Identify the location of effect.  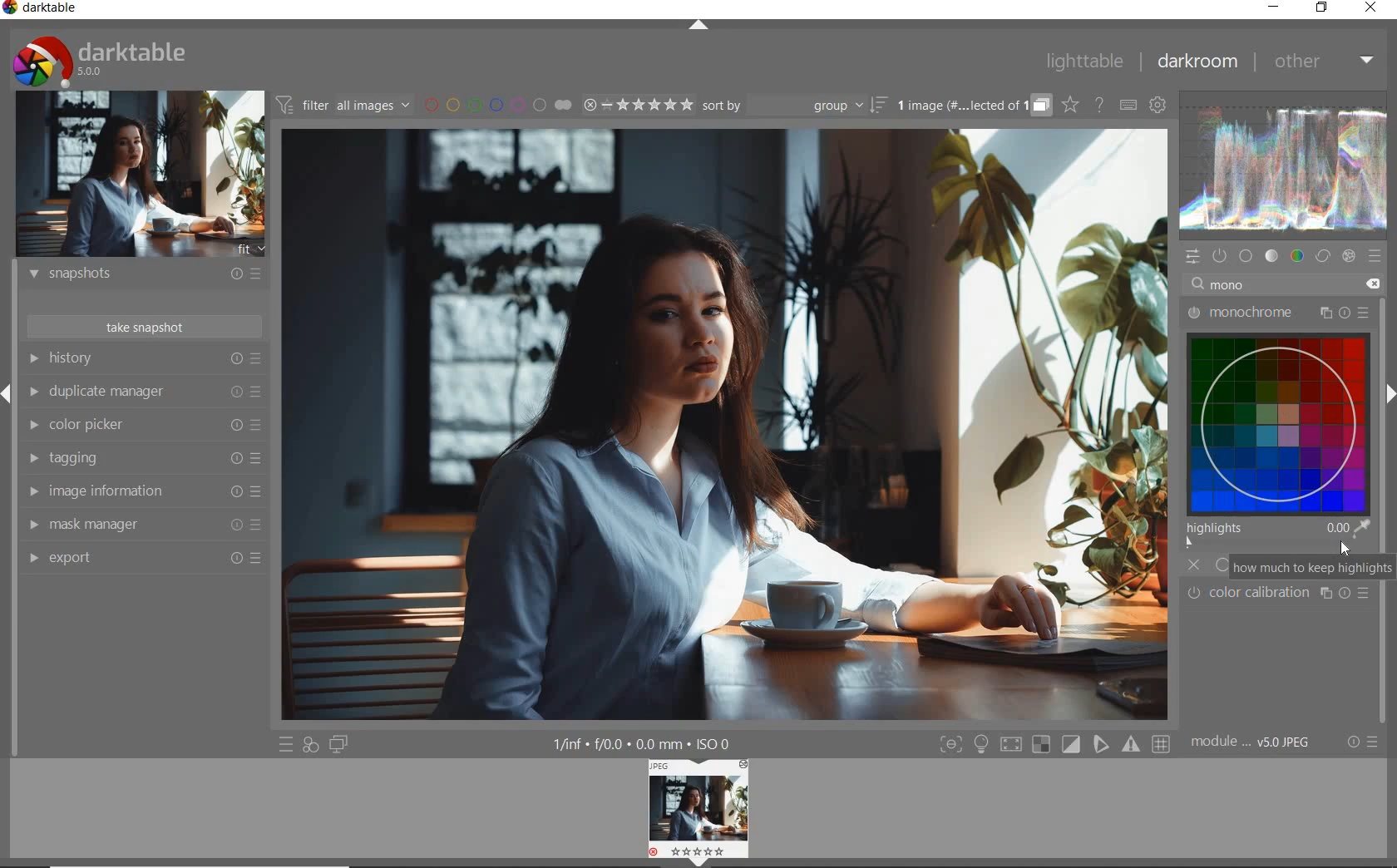
(1349, 255).